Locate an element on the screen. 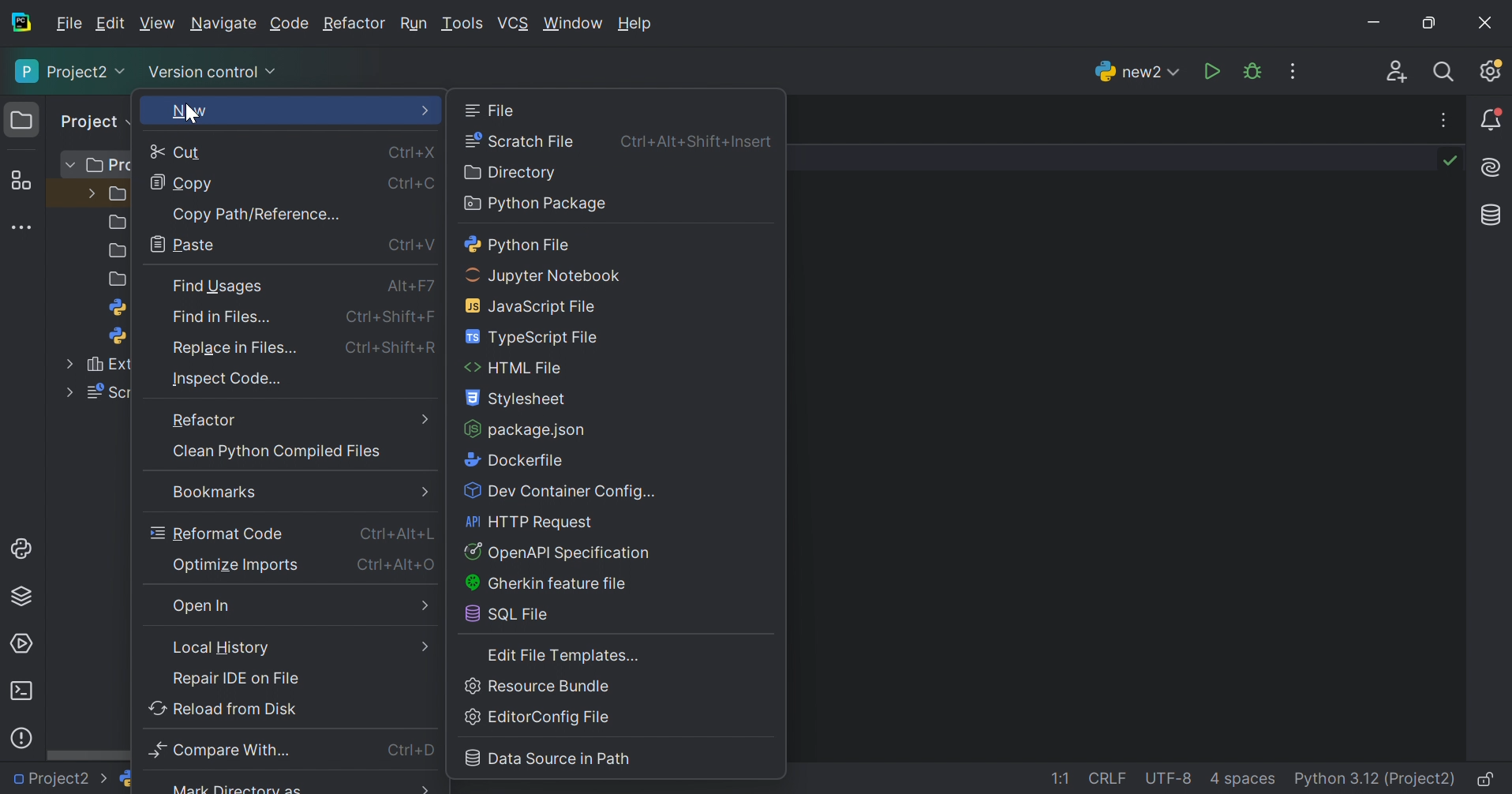 The height and width of the screenshot is (794, 1512). No problems is located at coordinates (1454, 160).